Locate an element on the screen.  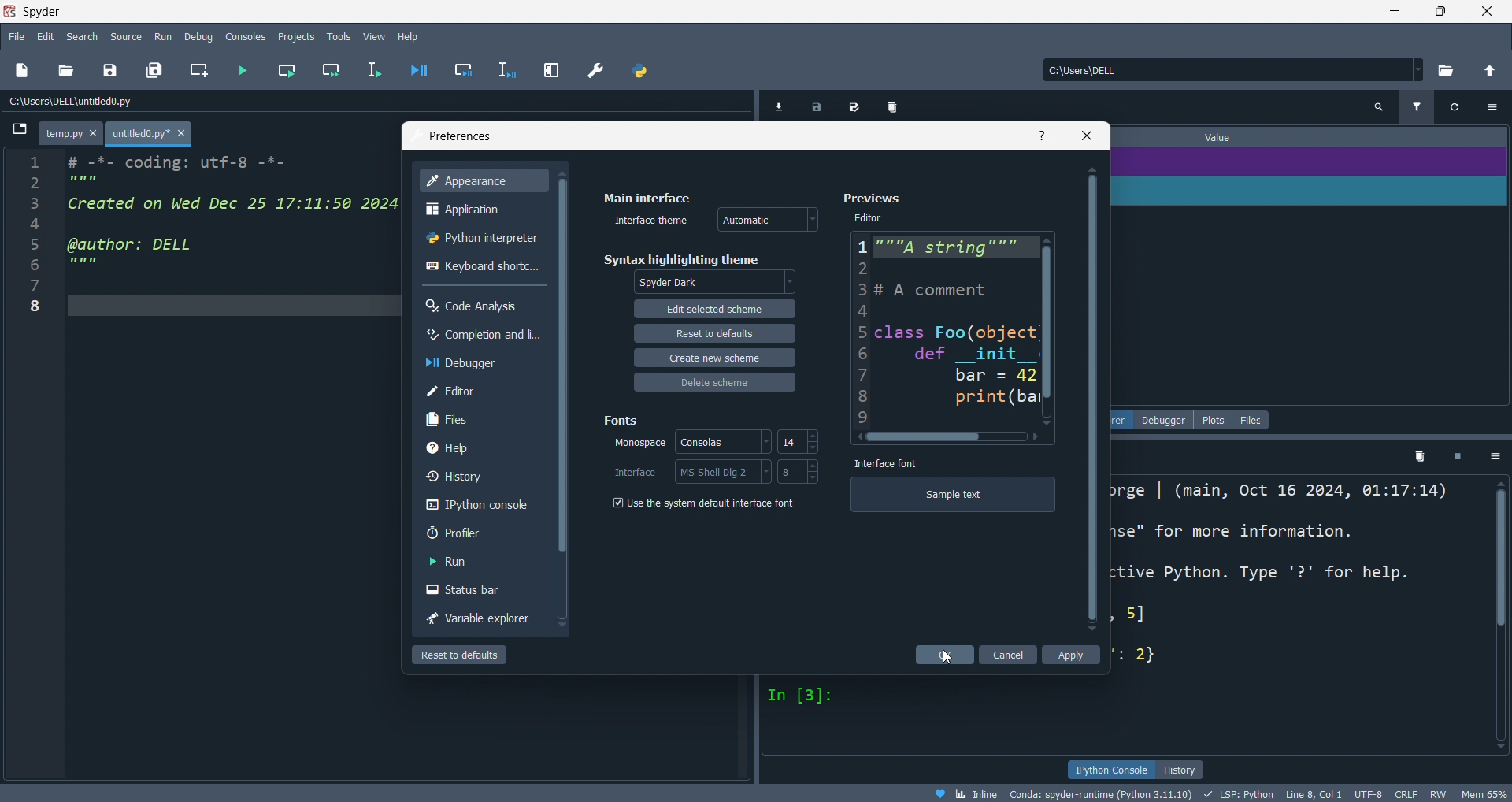
application is located at coordinates (479, 208).